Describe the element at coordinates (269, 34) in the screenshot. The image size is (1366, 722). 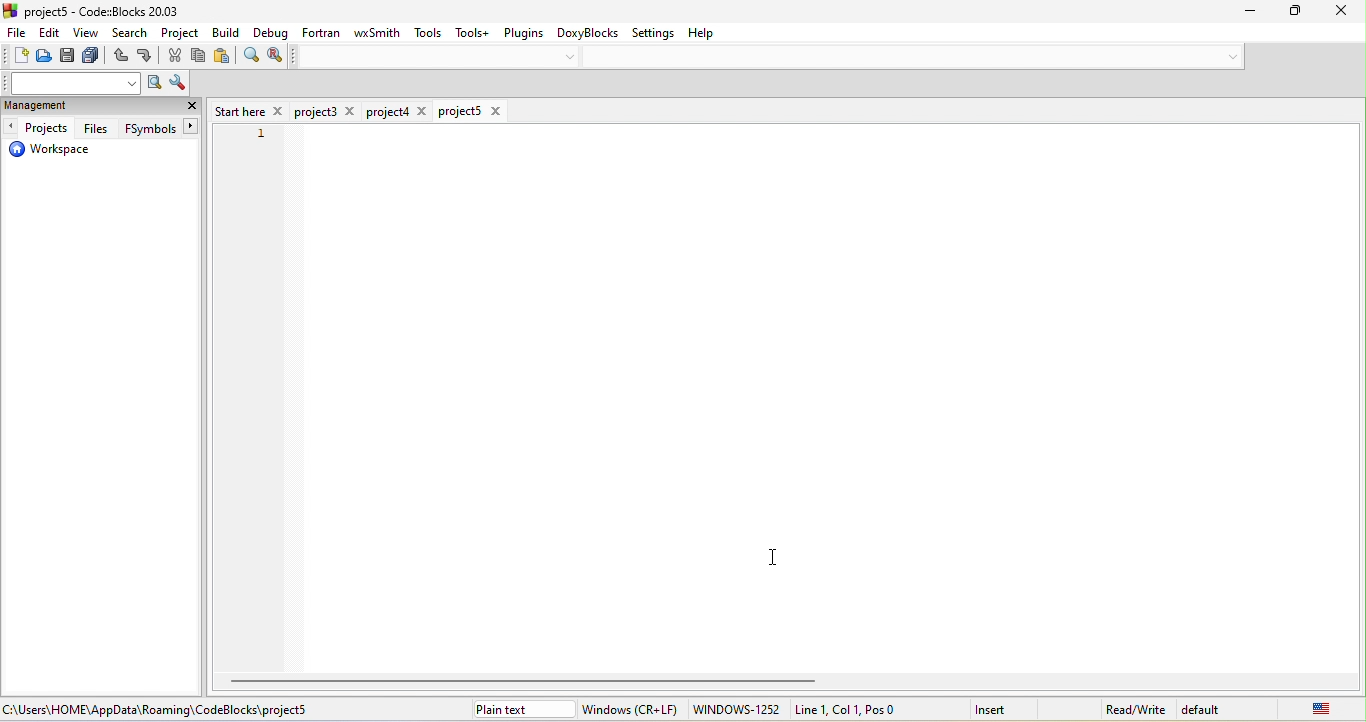
I see `debug` at that location.